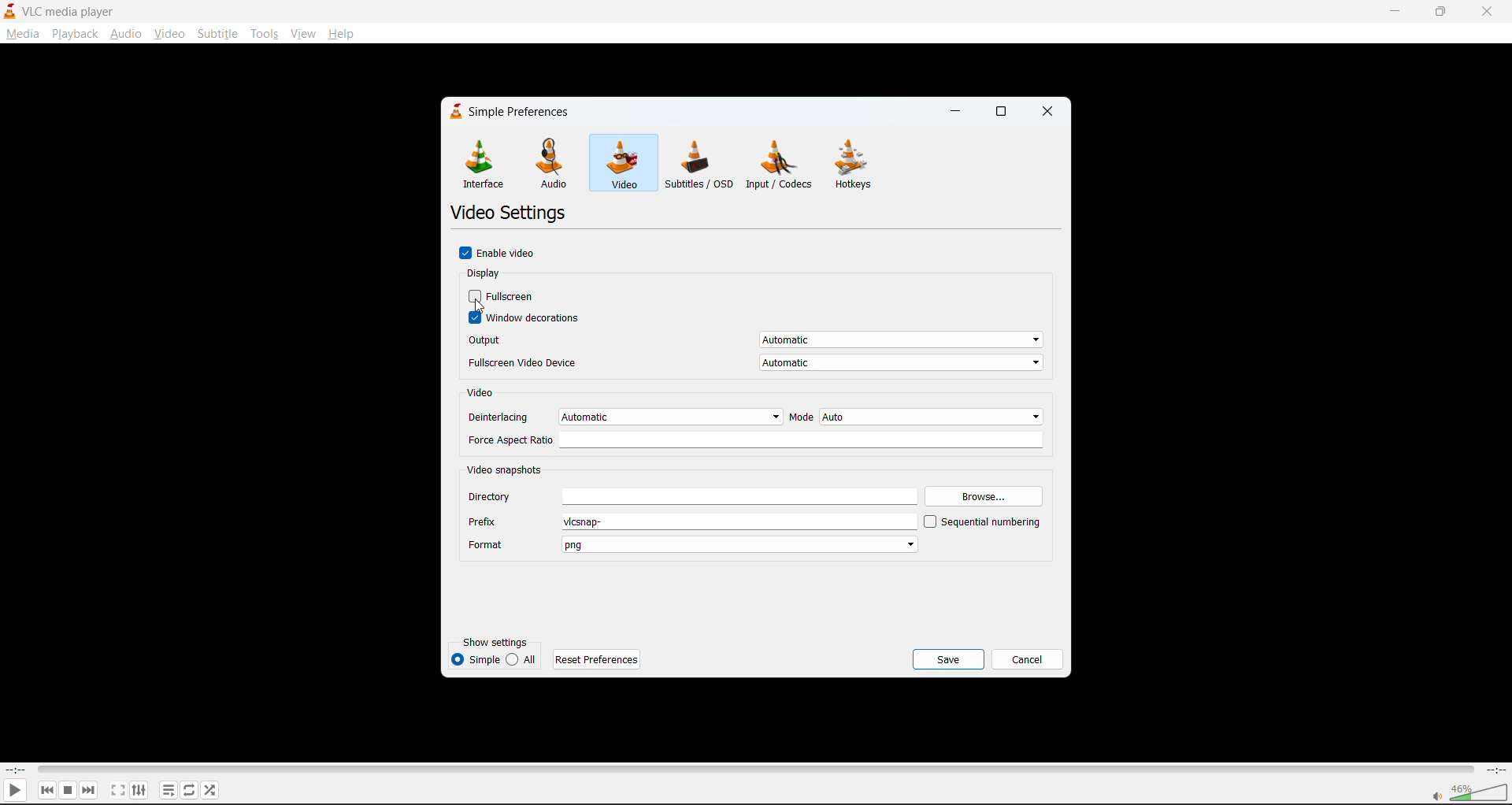 This screenshot has width=1512, height=805. What do you see at coordinates (531, 317) in the screenshot?
I see `window decorations` at bounding box center [531, 317].